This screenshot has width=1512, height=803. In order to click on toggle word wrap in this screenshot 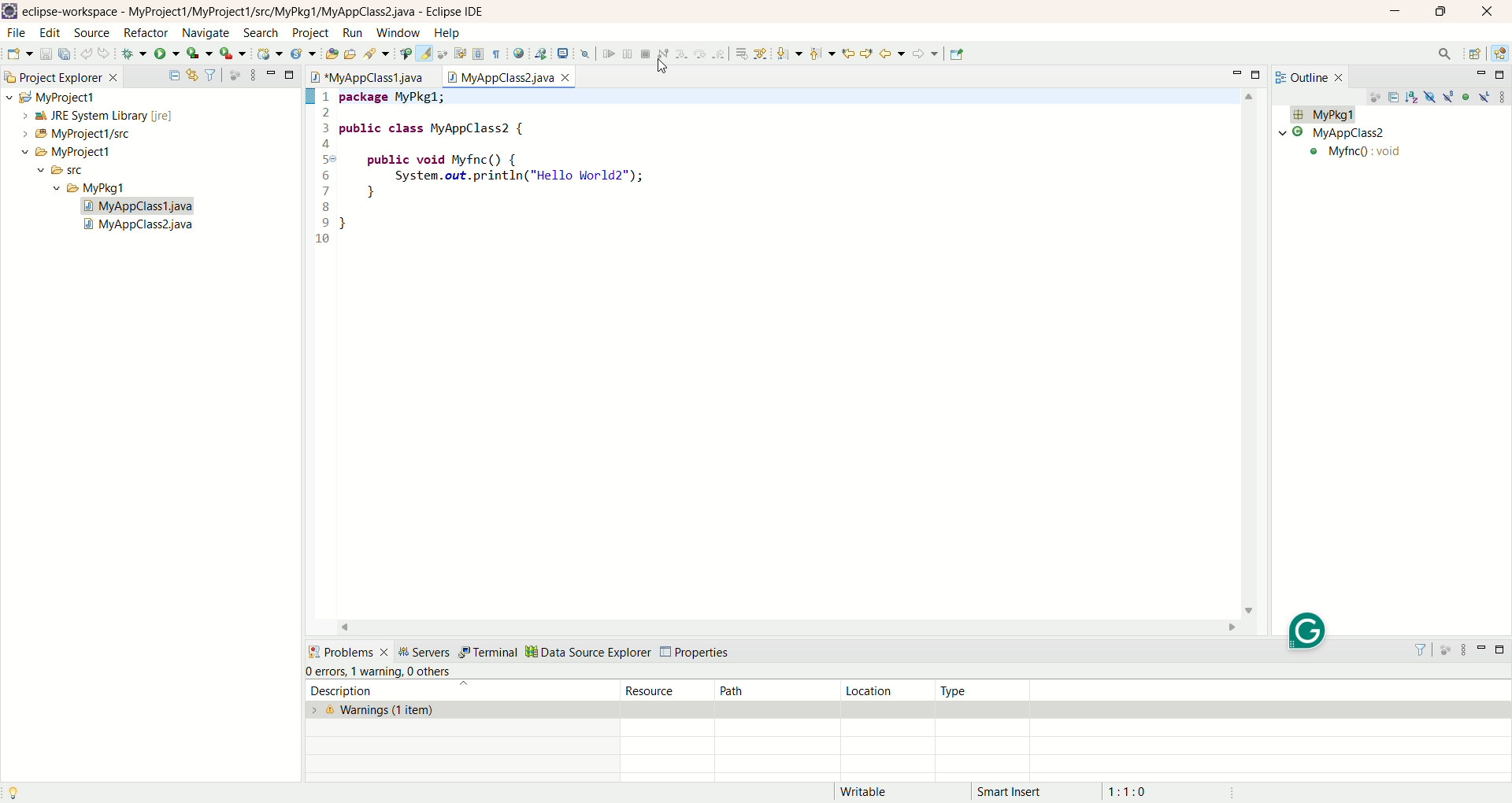, I will do `click(466, 53)`.